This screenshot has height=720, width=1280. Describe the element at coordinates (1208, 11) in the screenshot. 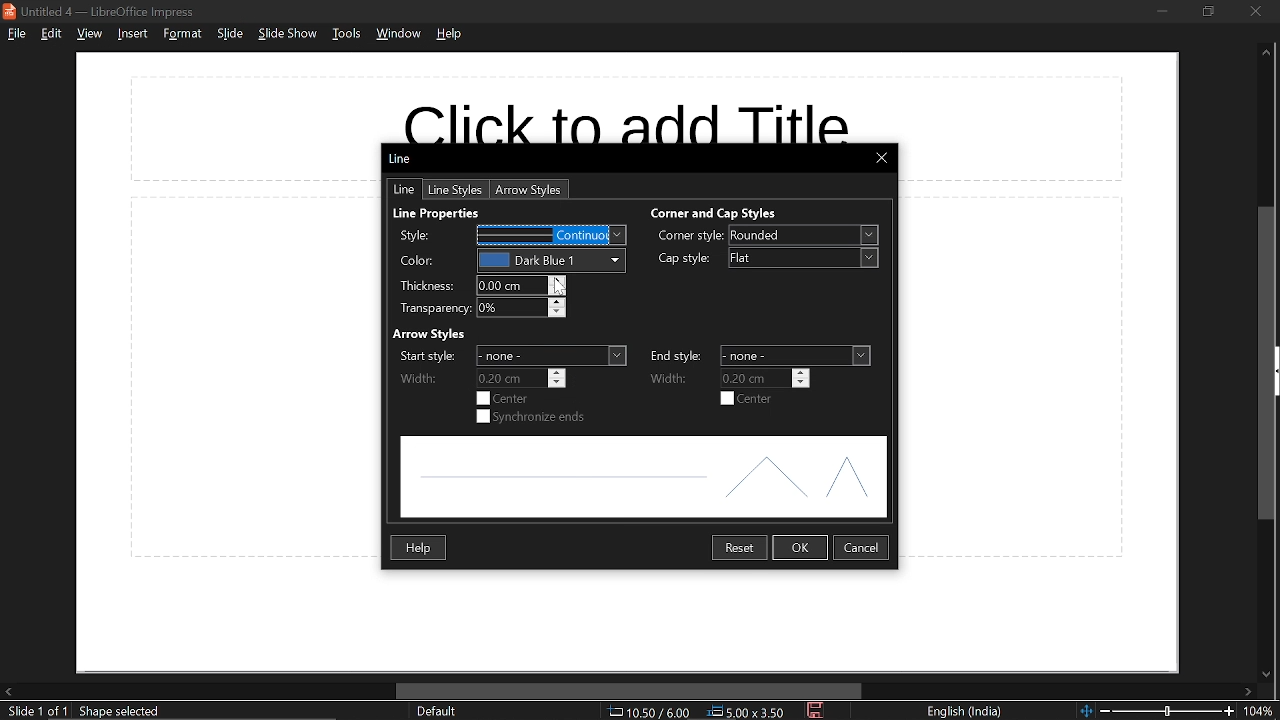

I see `restore down` at that location.